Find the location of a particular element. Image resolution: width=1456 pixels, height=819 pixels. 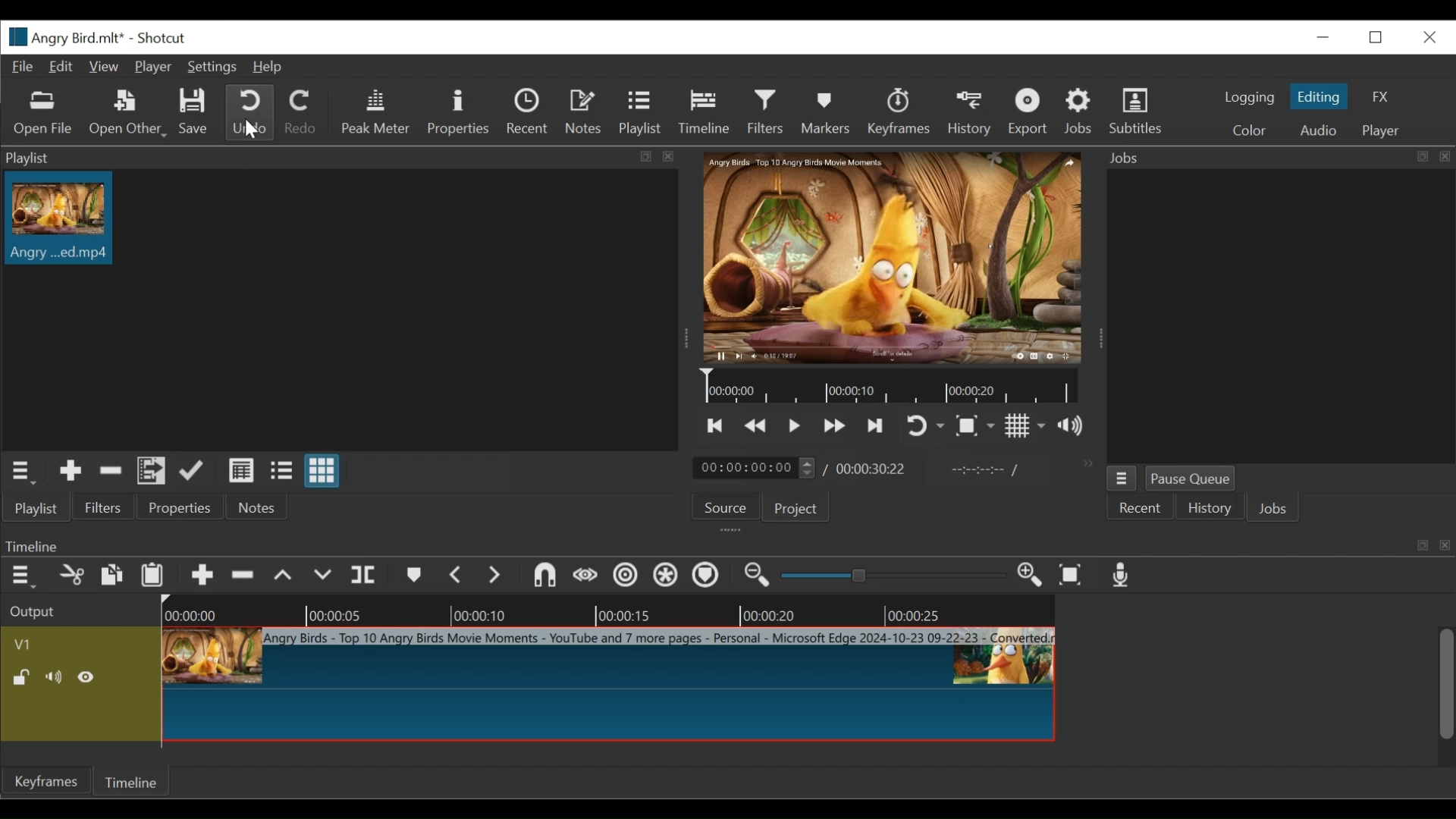

Notes is located at coordinates (262, 506).